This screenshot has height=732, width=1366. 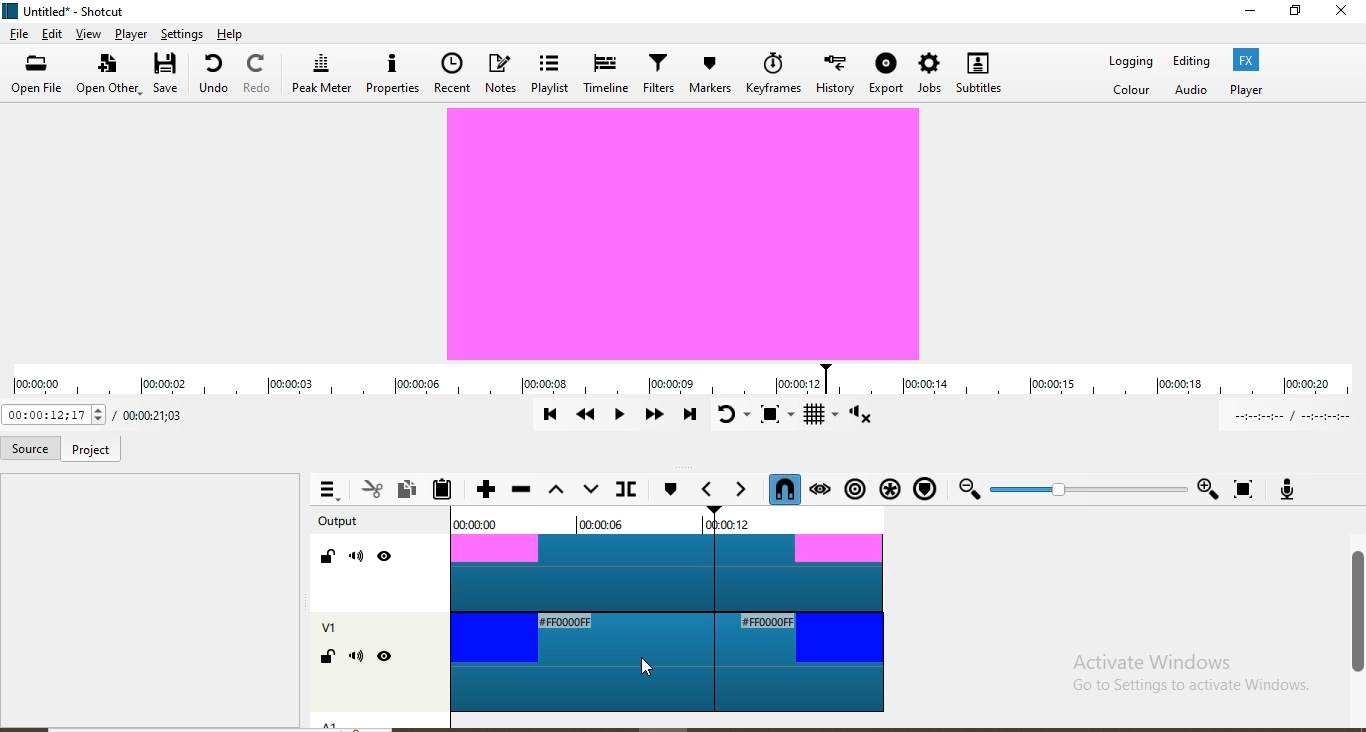 I want to click on History, so click(x=833, y=77).